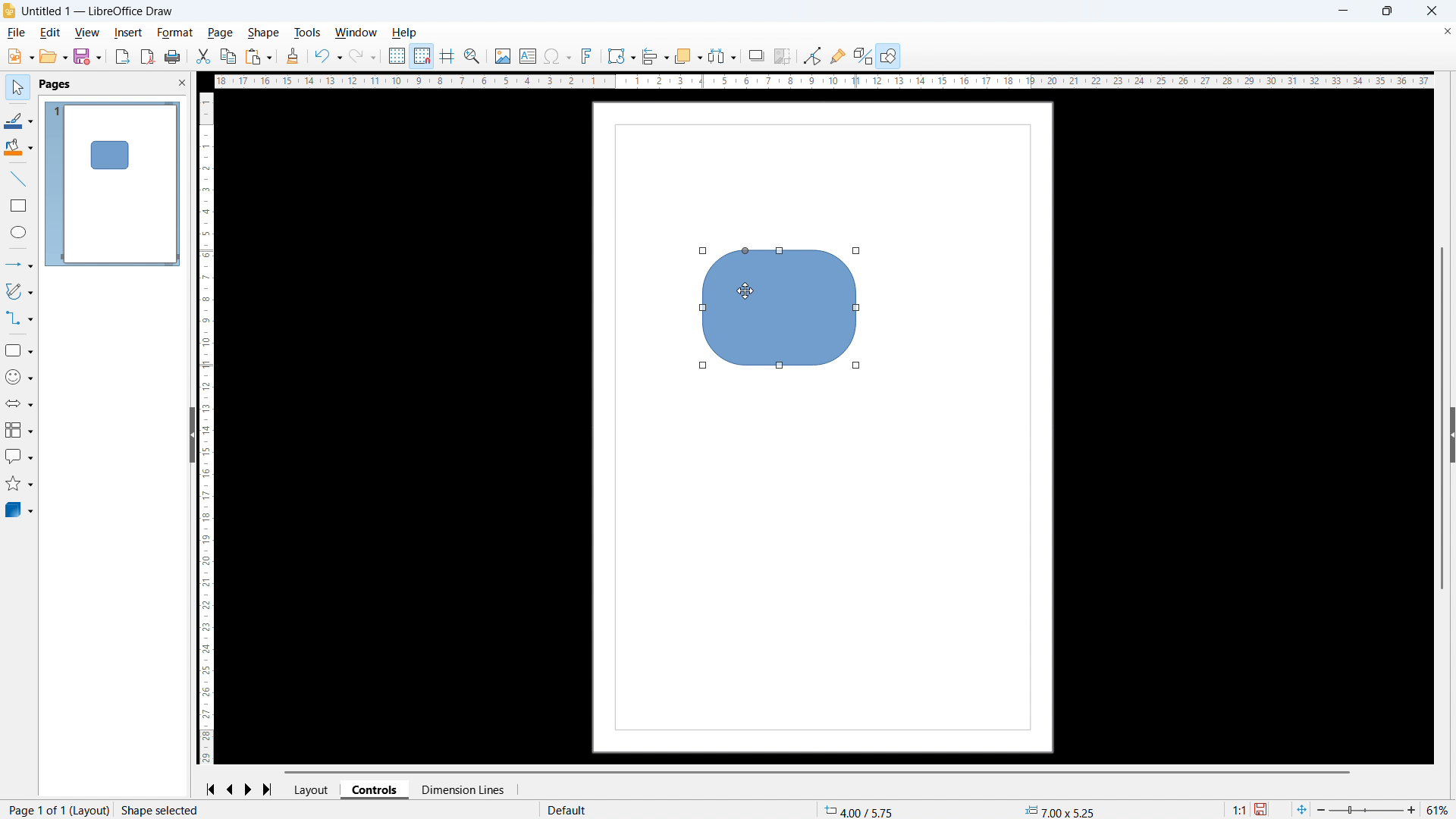 The width and height of the screenshot is (1456, 819). Describe the element at coordinates (1344, 11) in the screenshot. I see `minimise ` at that location.